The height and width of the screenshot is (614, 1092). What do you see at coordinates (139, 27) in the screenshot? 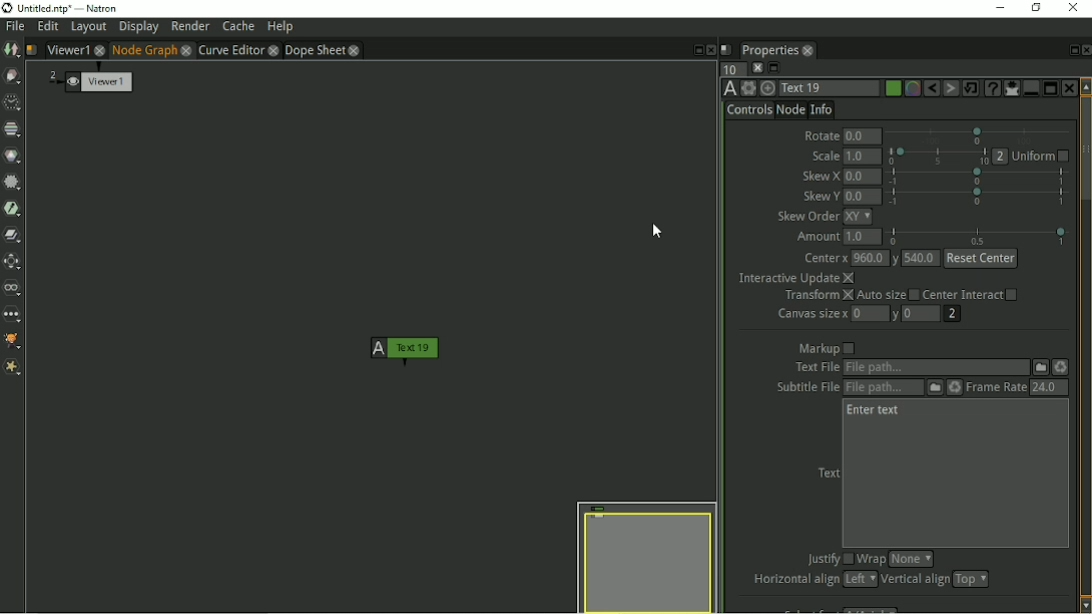
I see `Display` at bounding box center [139, 27].